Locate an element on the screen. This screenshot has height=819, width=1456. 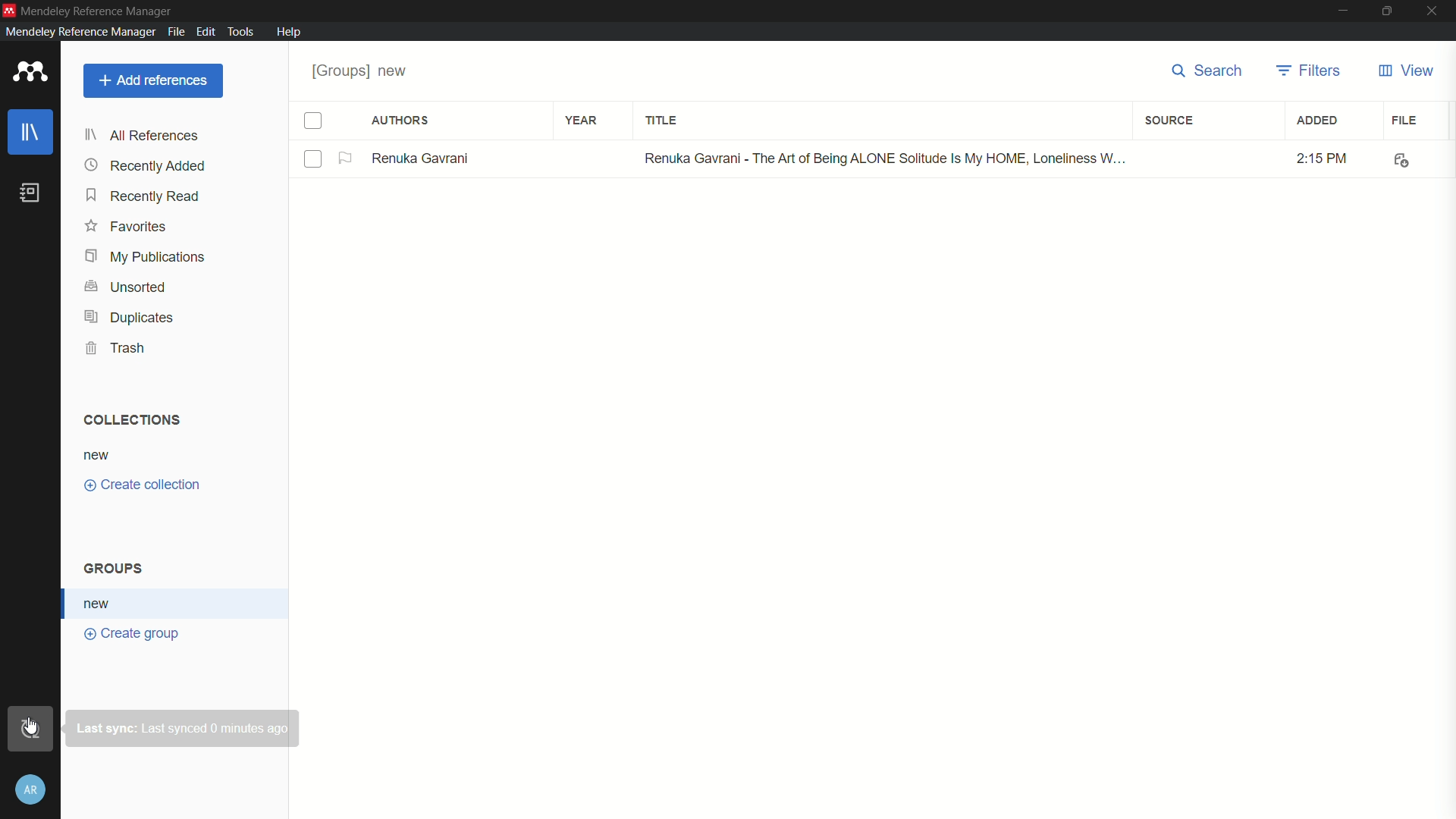
Renuka Gavrani - The Art of Being ALONE Solitude is My HOME, Loneliness W... is located at coordinates (881, 159).